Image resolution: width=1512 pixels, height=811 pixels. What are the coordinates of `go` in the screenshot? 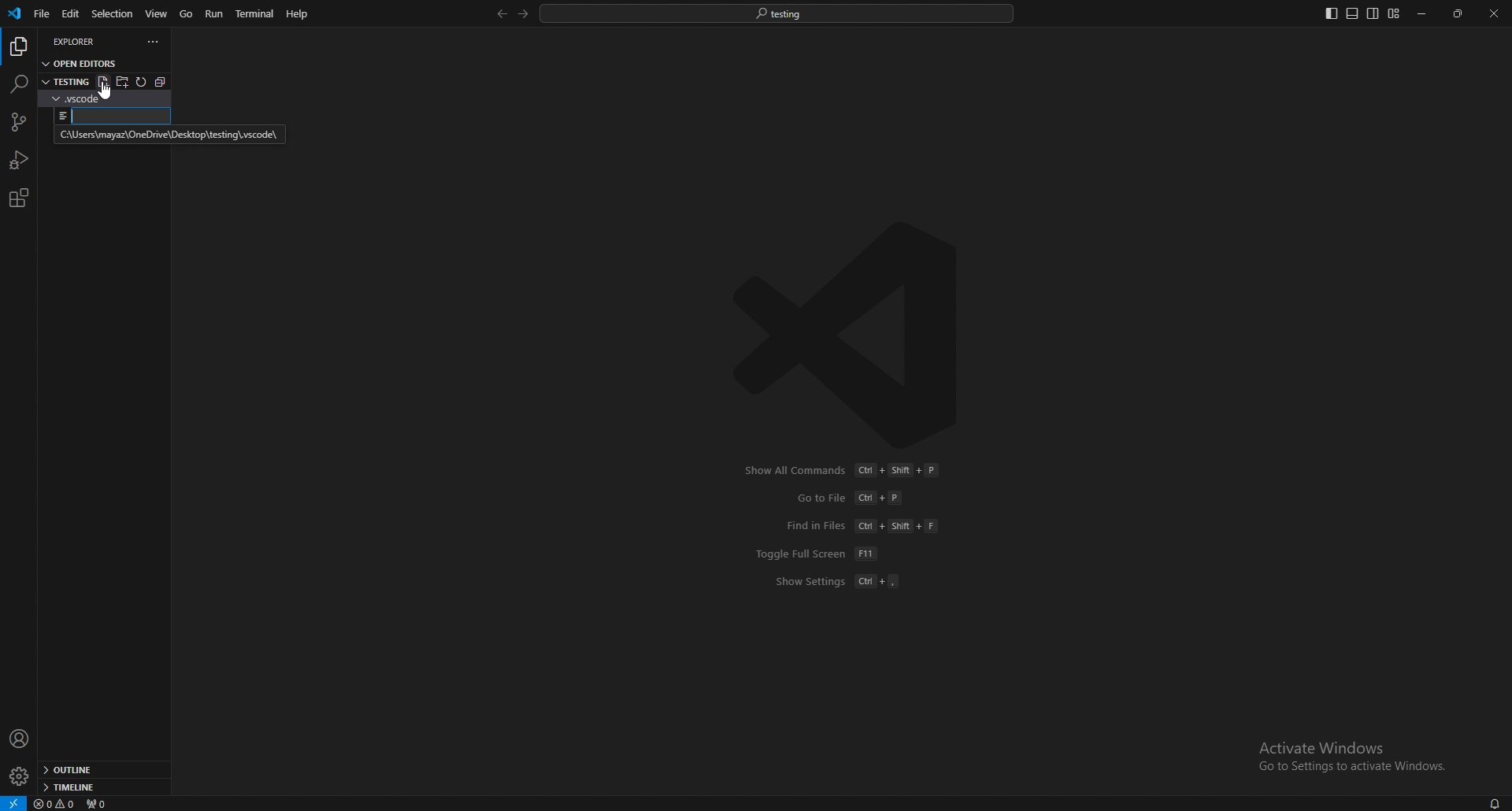 It's located at (187, 14).